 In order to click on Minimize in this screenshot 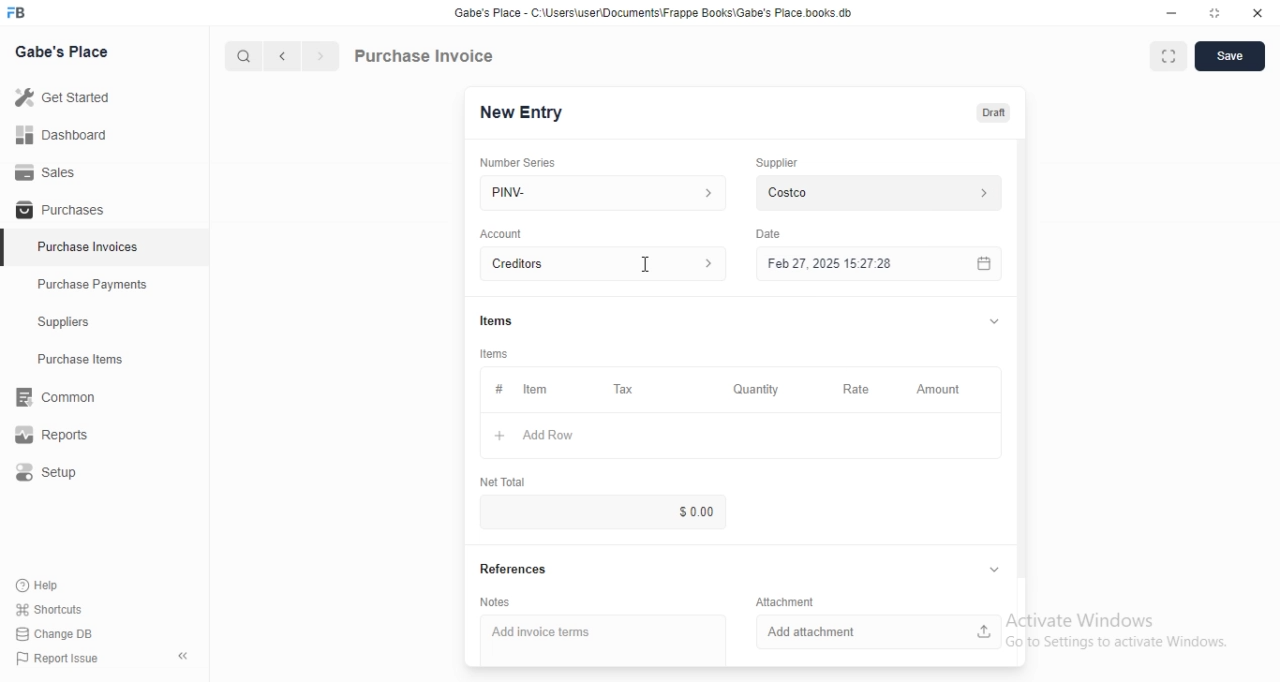, I will do `click(1171, 13)`.